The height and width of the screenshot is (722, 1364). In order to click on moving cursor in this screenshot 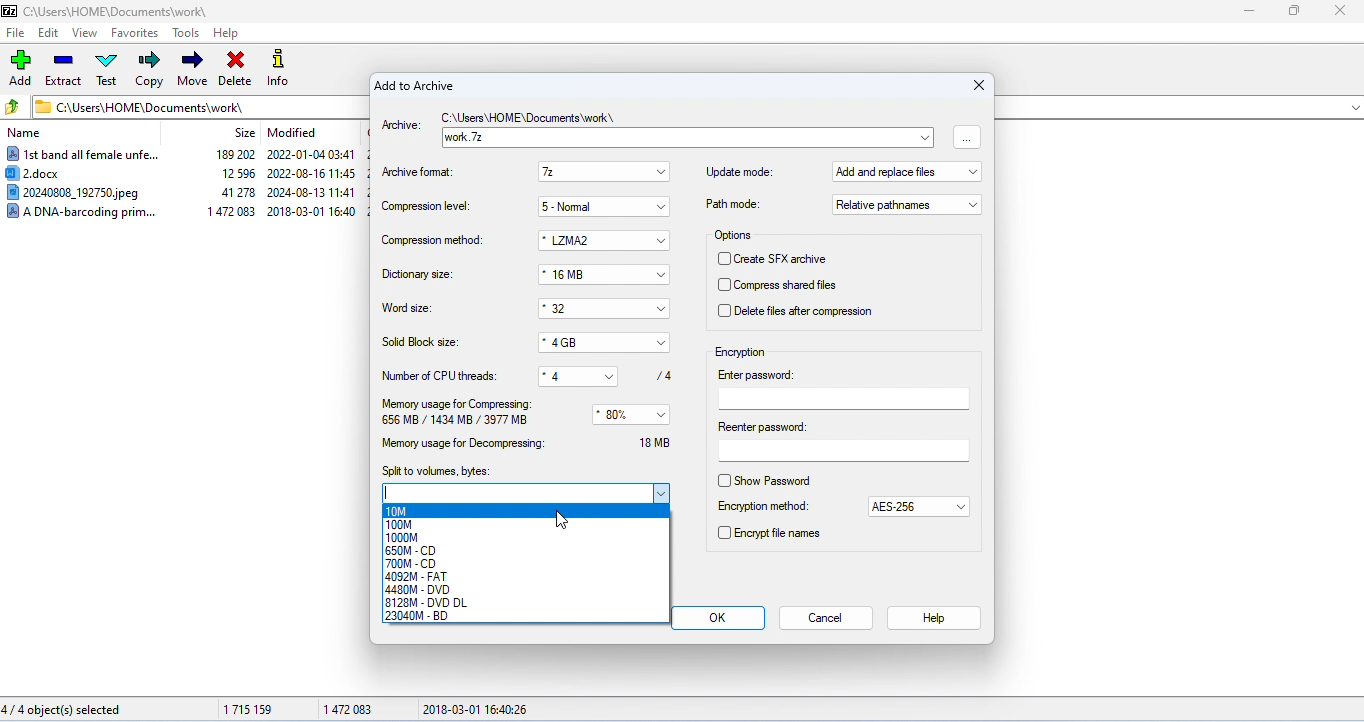, I will do `click(564, 519)`.